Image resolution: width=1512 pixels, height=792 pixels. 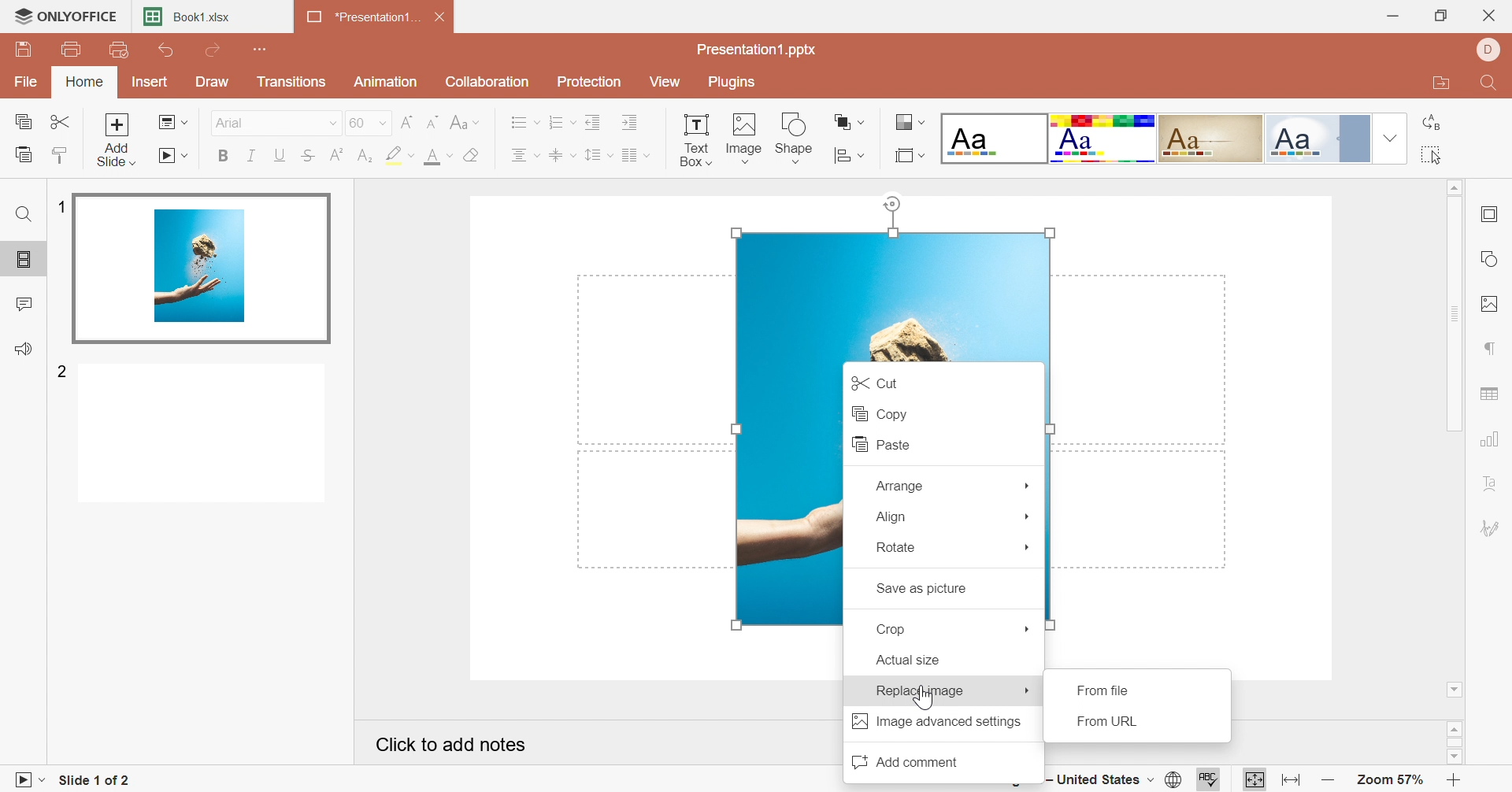 I want to click on Select slide layout, so click(x=910, y=154).